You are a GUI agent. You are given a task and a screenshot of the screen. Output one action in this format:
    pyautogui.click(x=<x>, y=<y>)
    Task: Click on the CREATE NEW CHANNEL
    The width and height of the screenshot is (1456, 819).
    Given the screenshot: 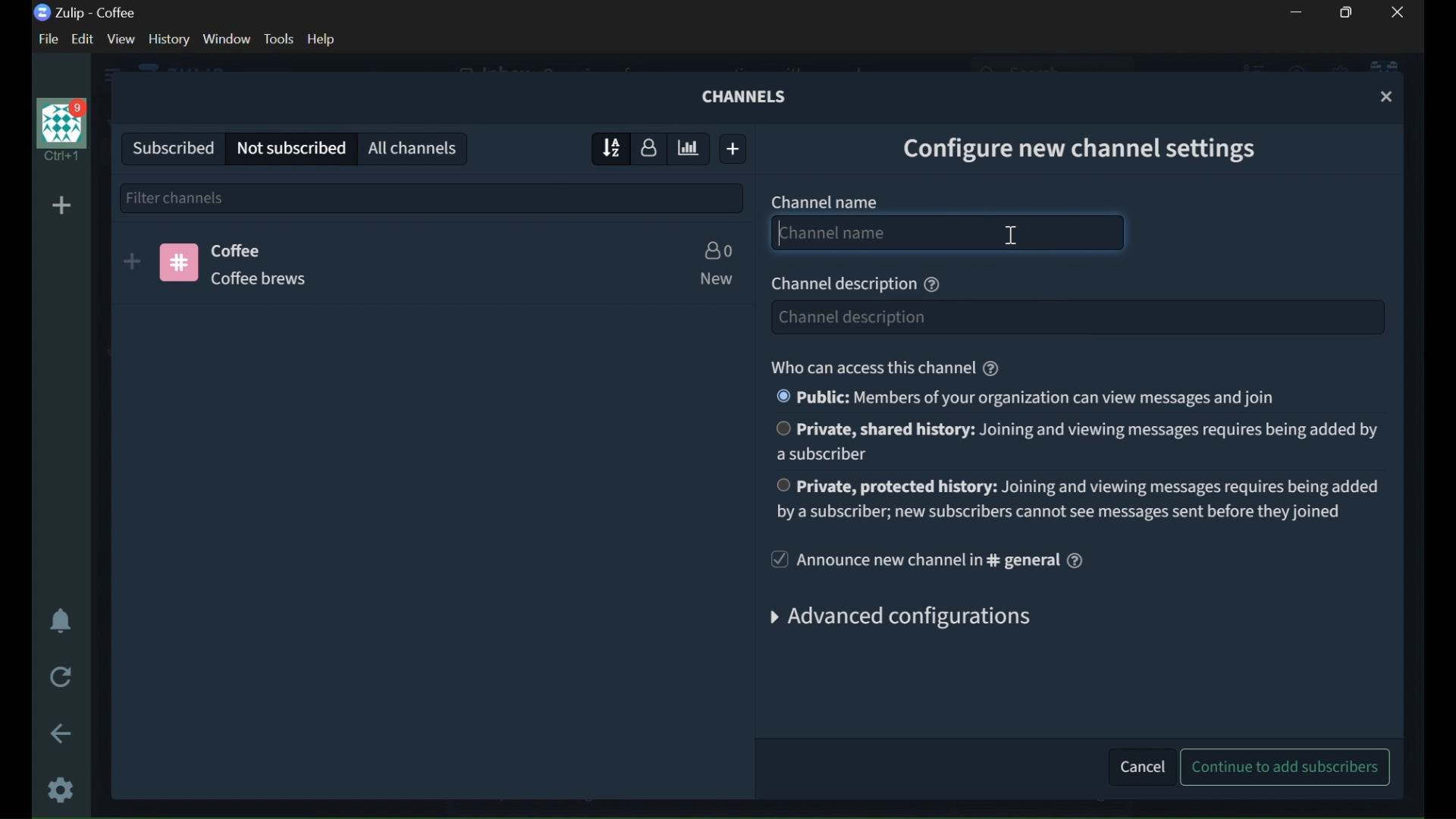 What is the action you would take?
    pyautogui.click(x=736, y=149)
    